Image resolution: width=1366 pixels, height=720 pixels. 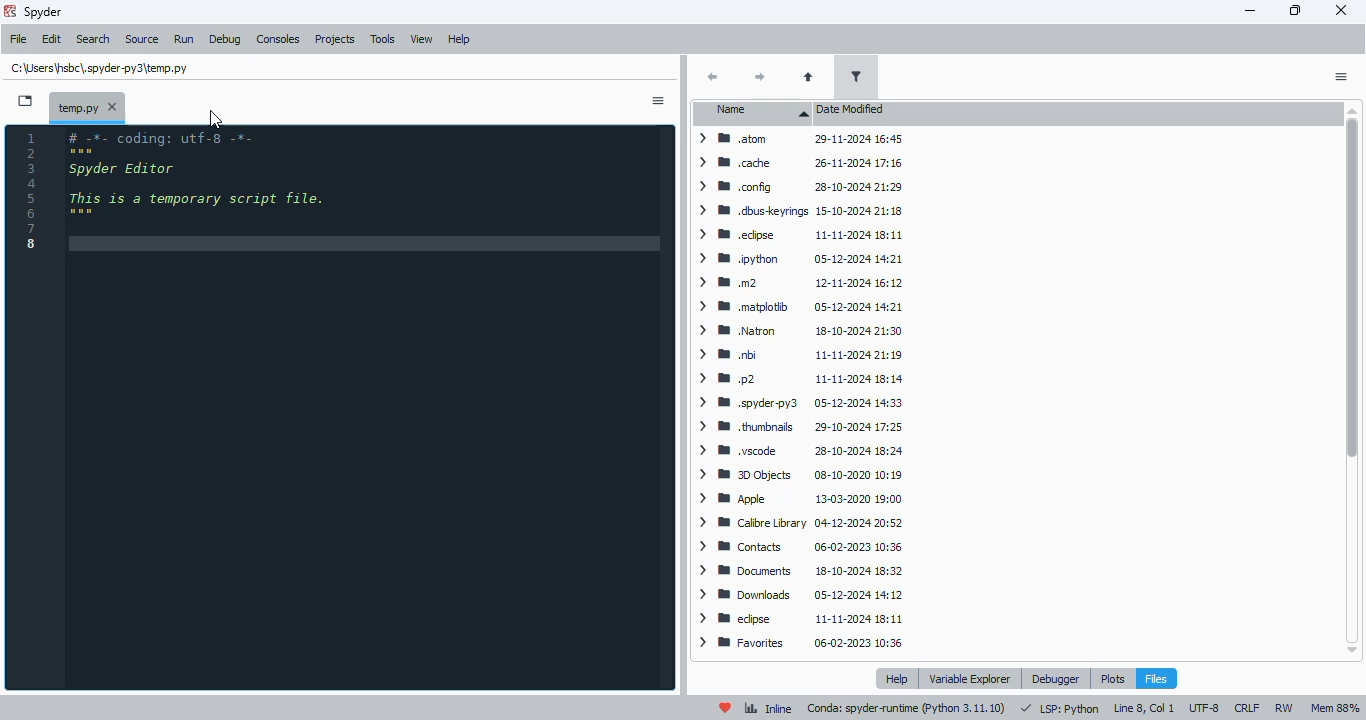 What do you see at coordinates (279, 39) in the screenshot?
I see `consoles` at bounding box center [279, 39].